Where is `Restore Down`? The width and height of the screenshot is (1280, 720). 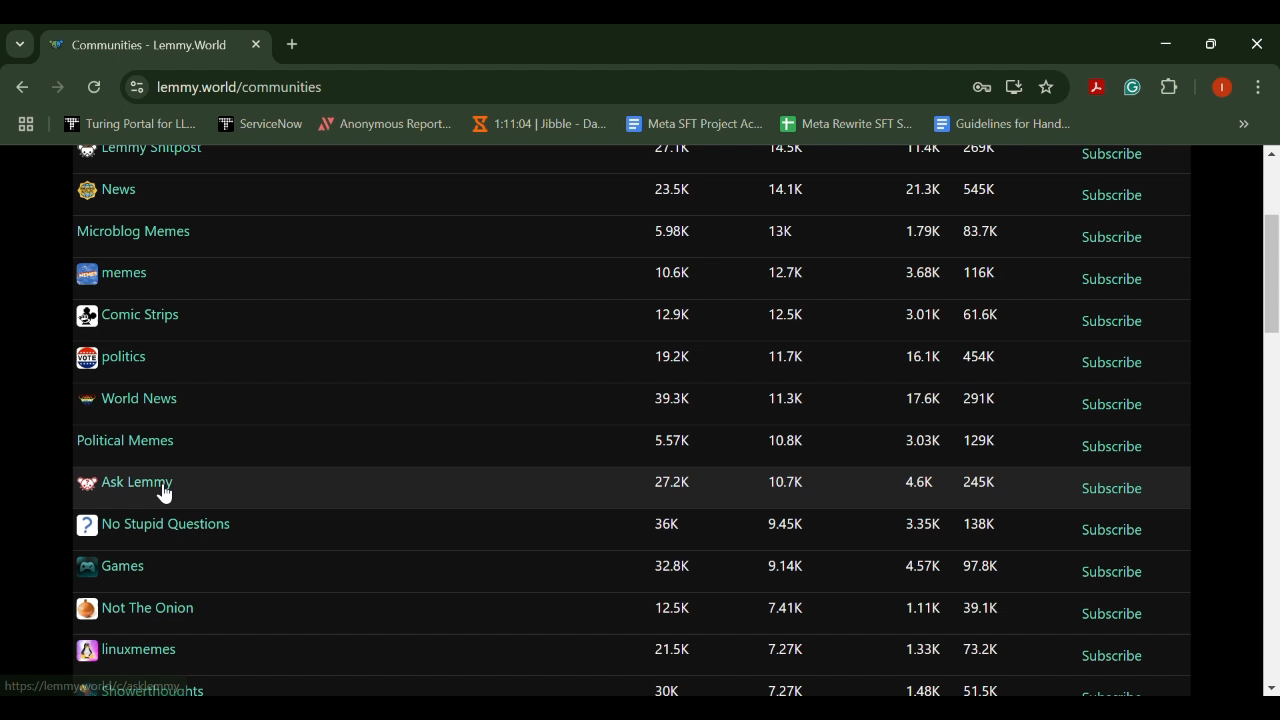
Restore Down is located at coordinates (1170, 43).